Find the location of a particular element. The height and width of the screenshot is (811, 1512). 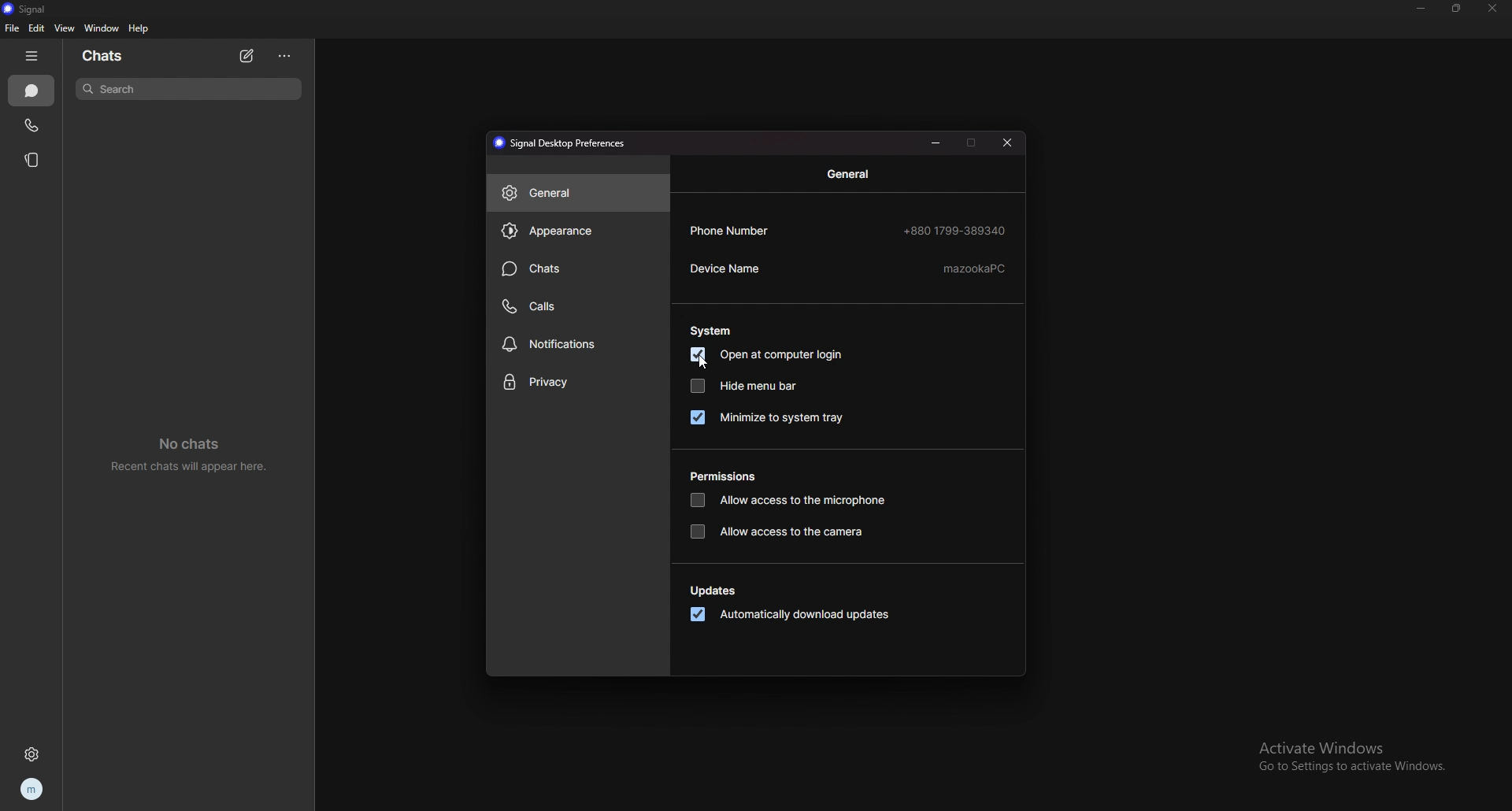

search is located at coordinates (187, 88).